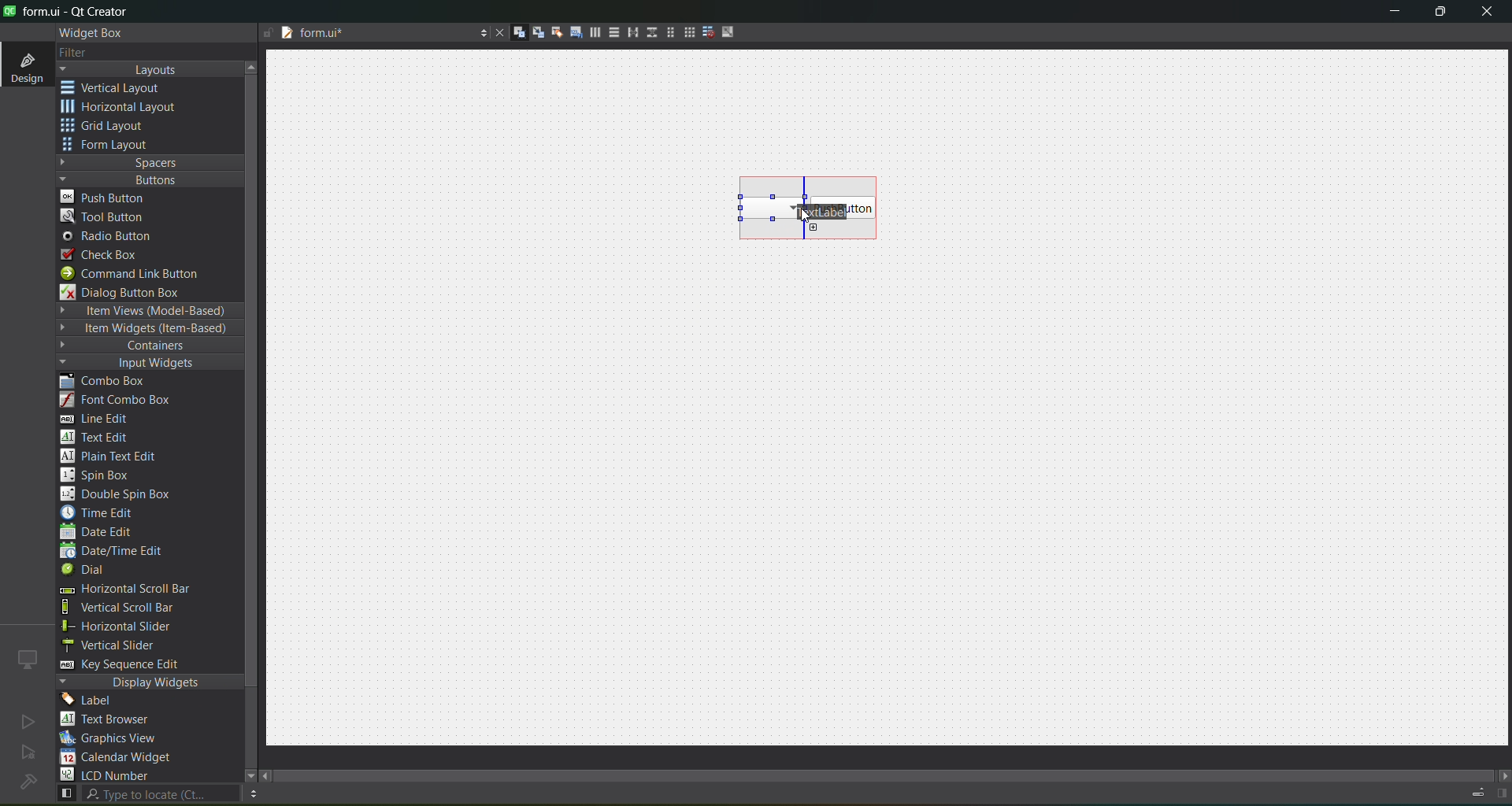 The image size is (1512, 806). Describe the element at coordinates (146, 794) in the screenshot. I see `search` at that location.